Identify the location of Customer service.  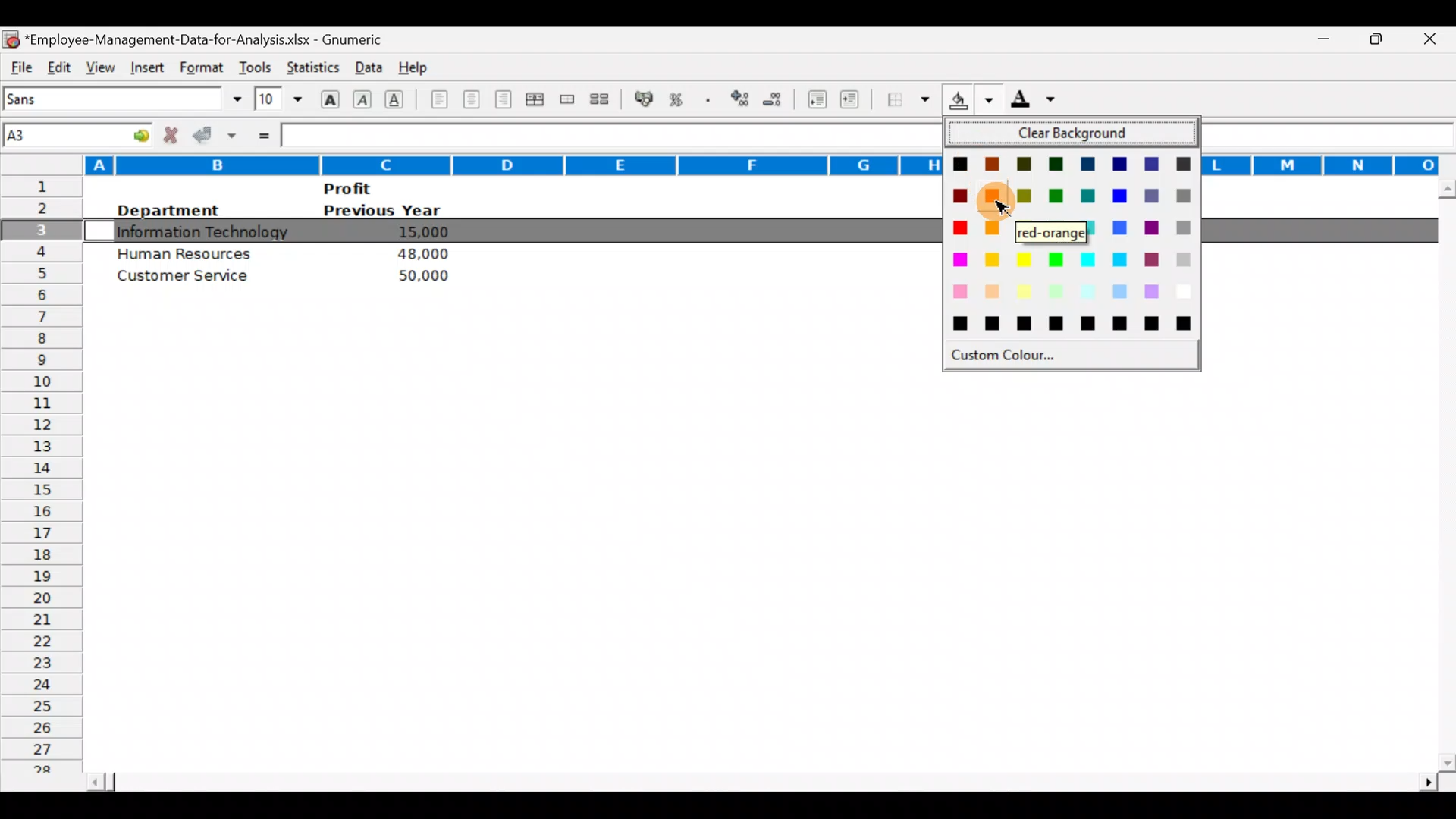
(190, 279).